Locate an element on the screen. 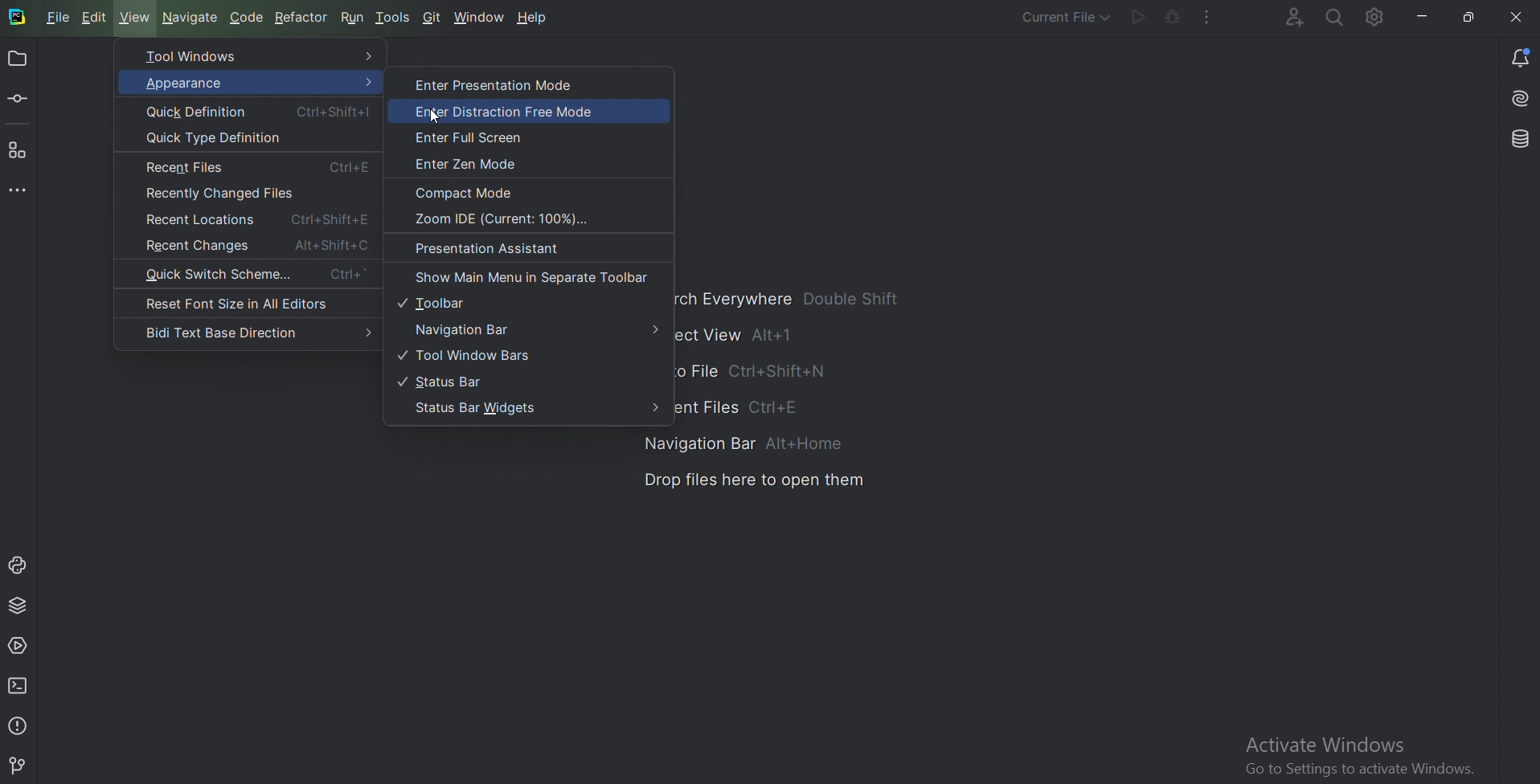 This screenshot has width=1540, height=784. Status Bar Widgets is located at coordinates (537, 409).